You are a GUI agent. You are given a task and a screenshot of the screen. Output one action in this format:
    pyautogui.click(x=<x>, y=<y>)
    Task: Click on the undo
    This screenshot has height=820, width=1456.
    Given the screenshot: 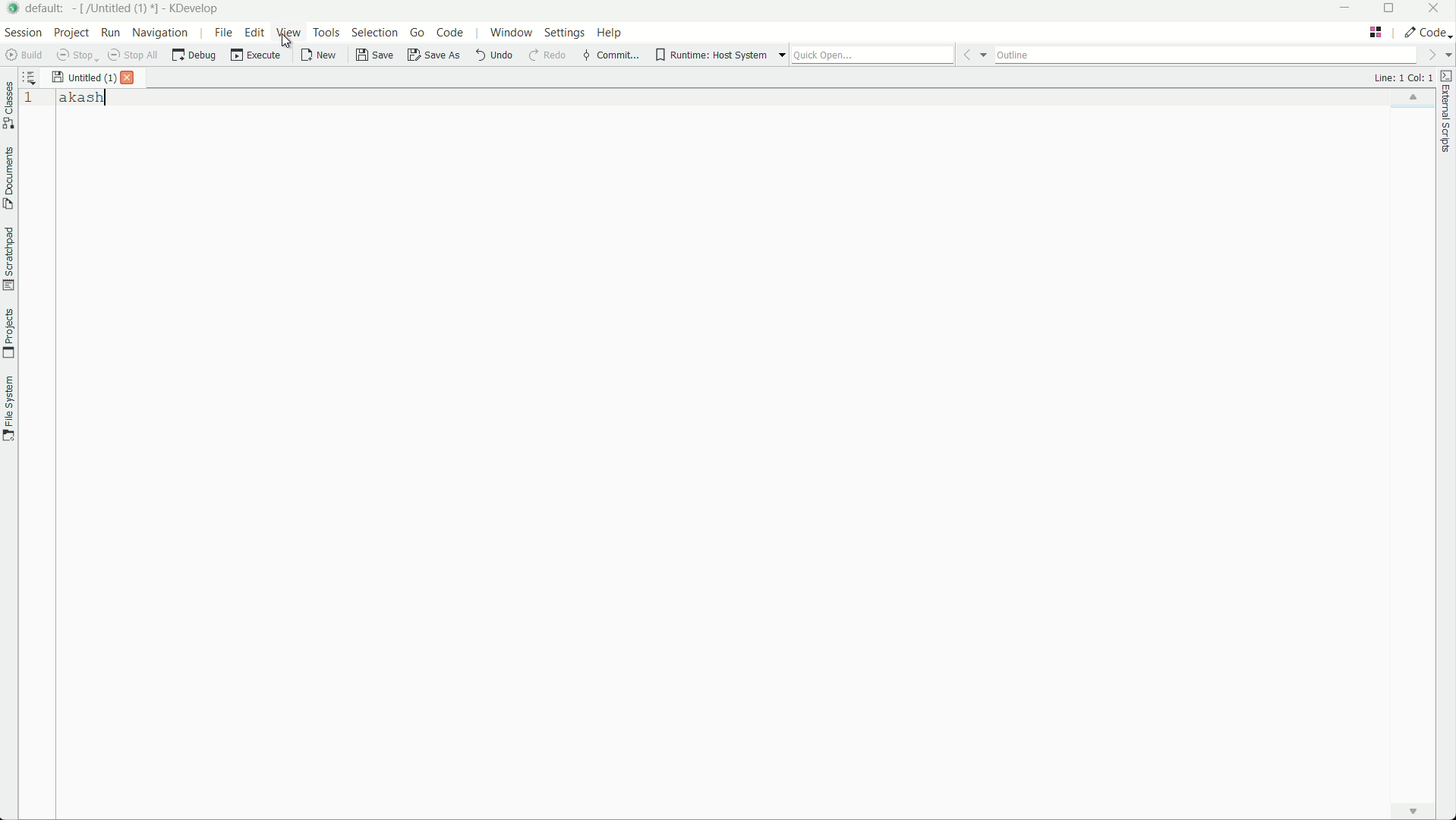 What is the action you would take?
    pyautogui.click(x=496, y=55)
    